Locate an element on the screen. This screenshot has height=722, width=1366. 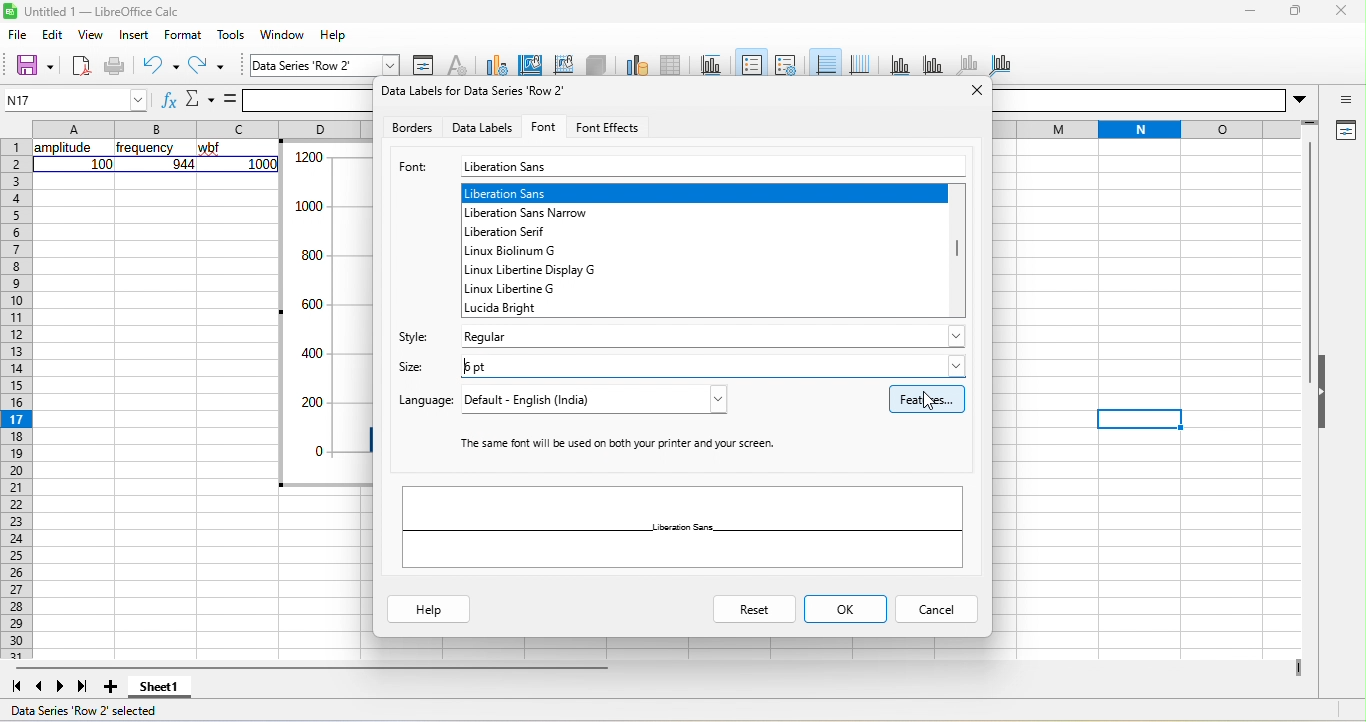
font is located at coordinates (412, 168).